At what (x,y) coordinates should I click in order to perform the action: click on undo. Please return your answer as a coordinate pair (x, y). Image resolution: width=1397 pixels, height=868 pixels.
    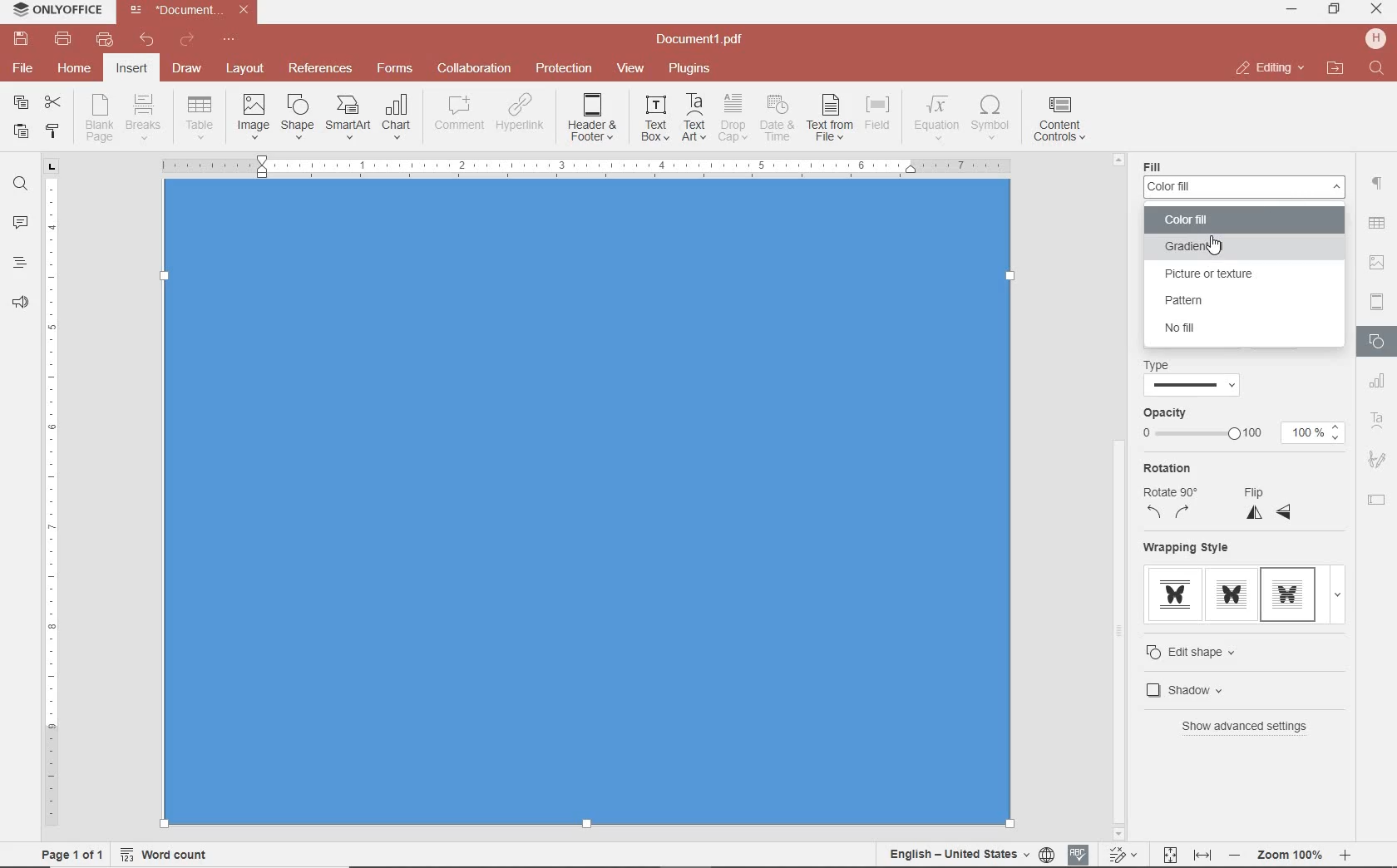
    Looking at the image, I should click on (147, 40).